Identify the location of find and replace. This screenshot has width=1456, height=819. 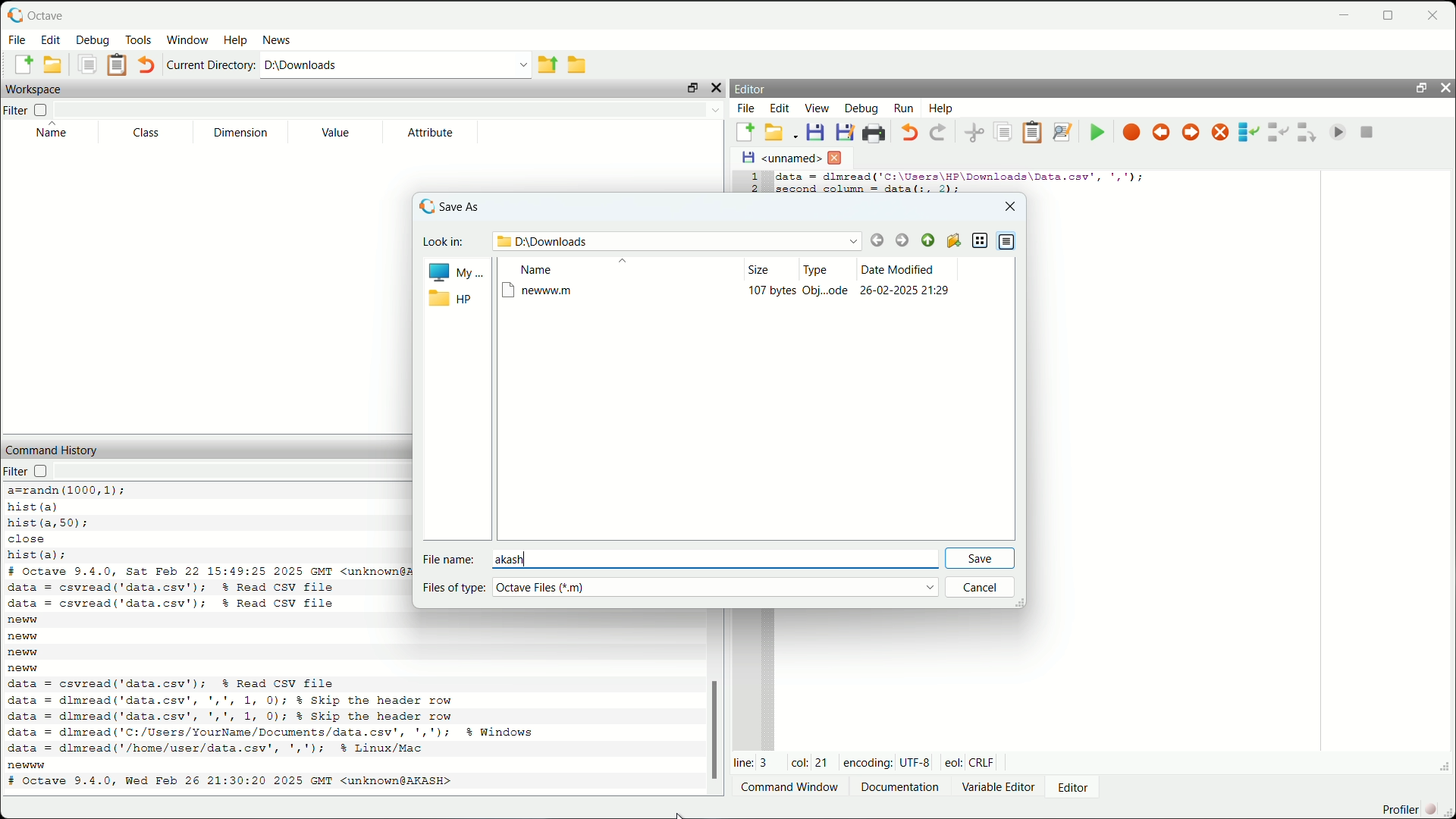
(1062, 132).